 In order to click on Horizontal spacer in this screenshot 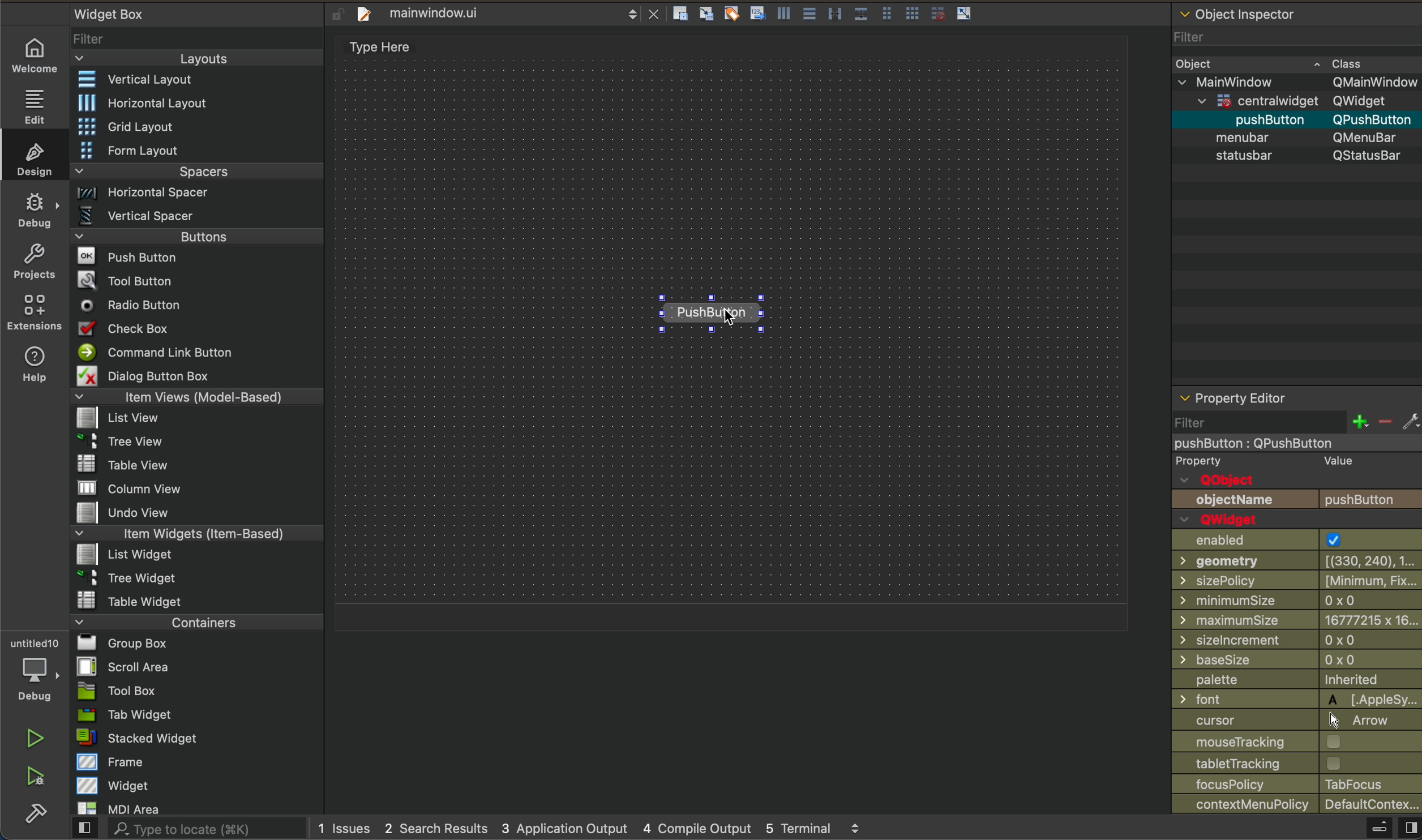, I will do `click(194, 192)`.